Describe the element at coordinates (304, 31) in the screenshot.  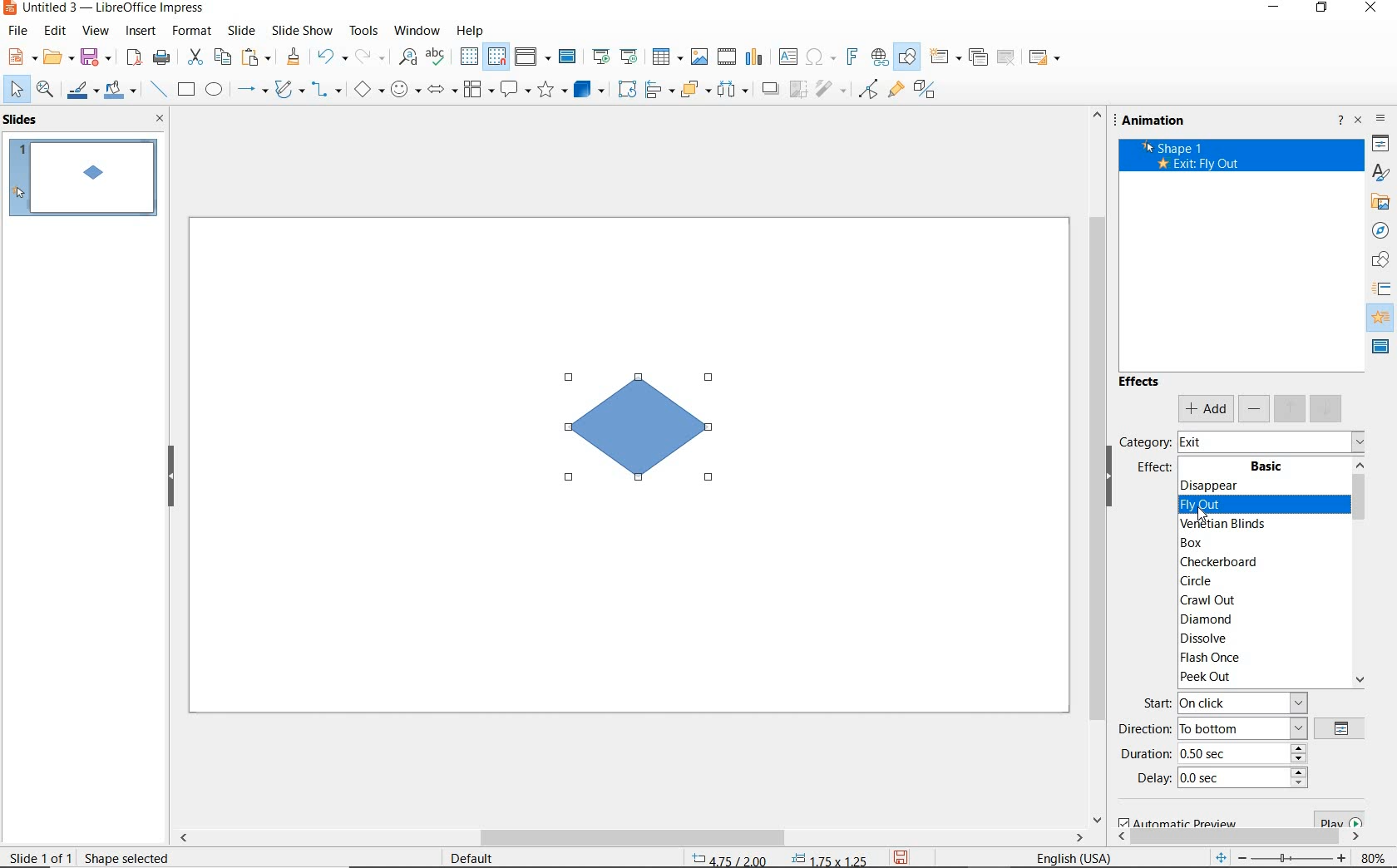
I see `slide show` at that location.